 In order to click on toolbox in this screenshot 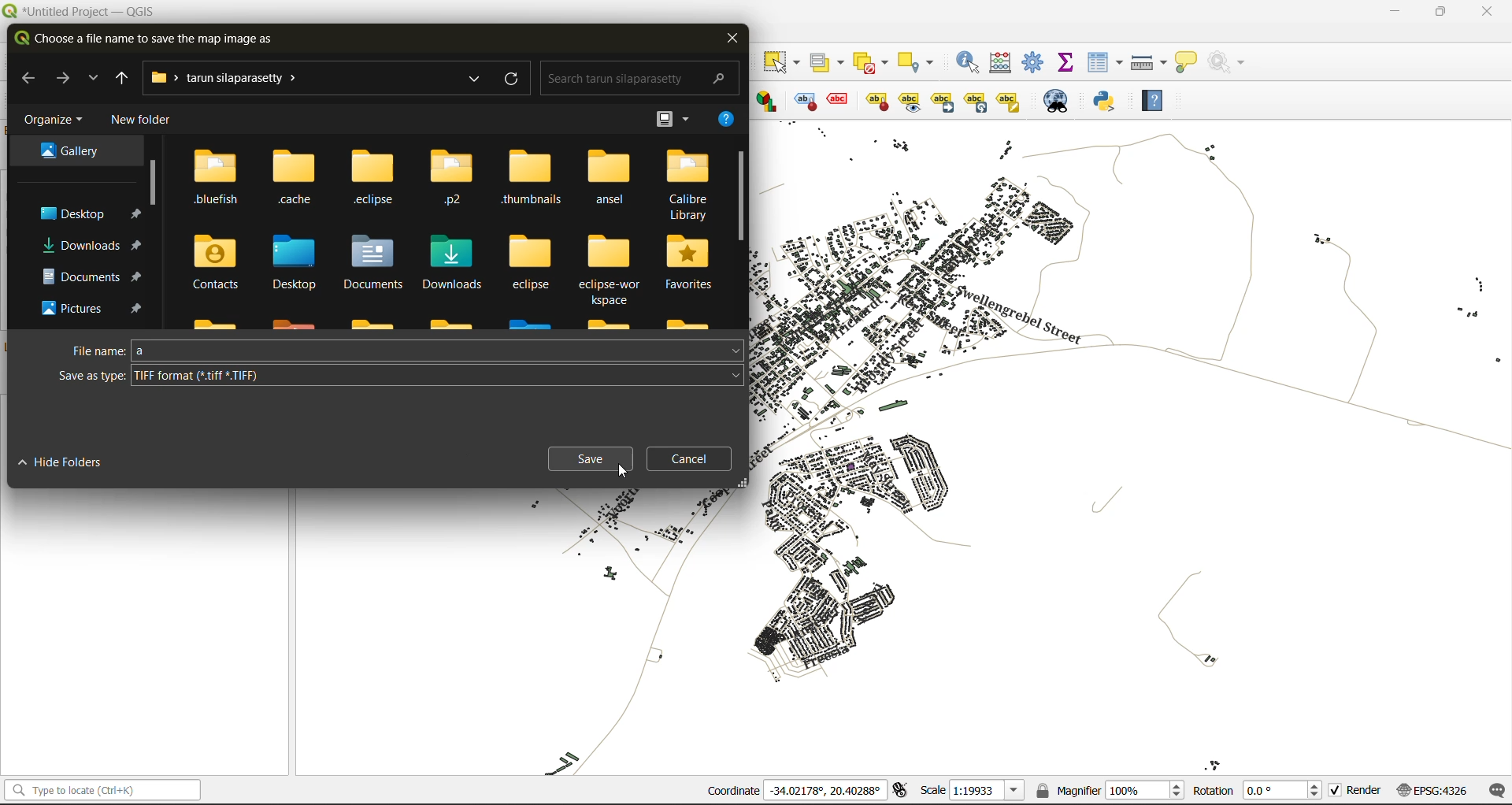, I will do `click(1036, 63)`.